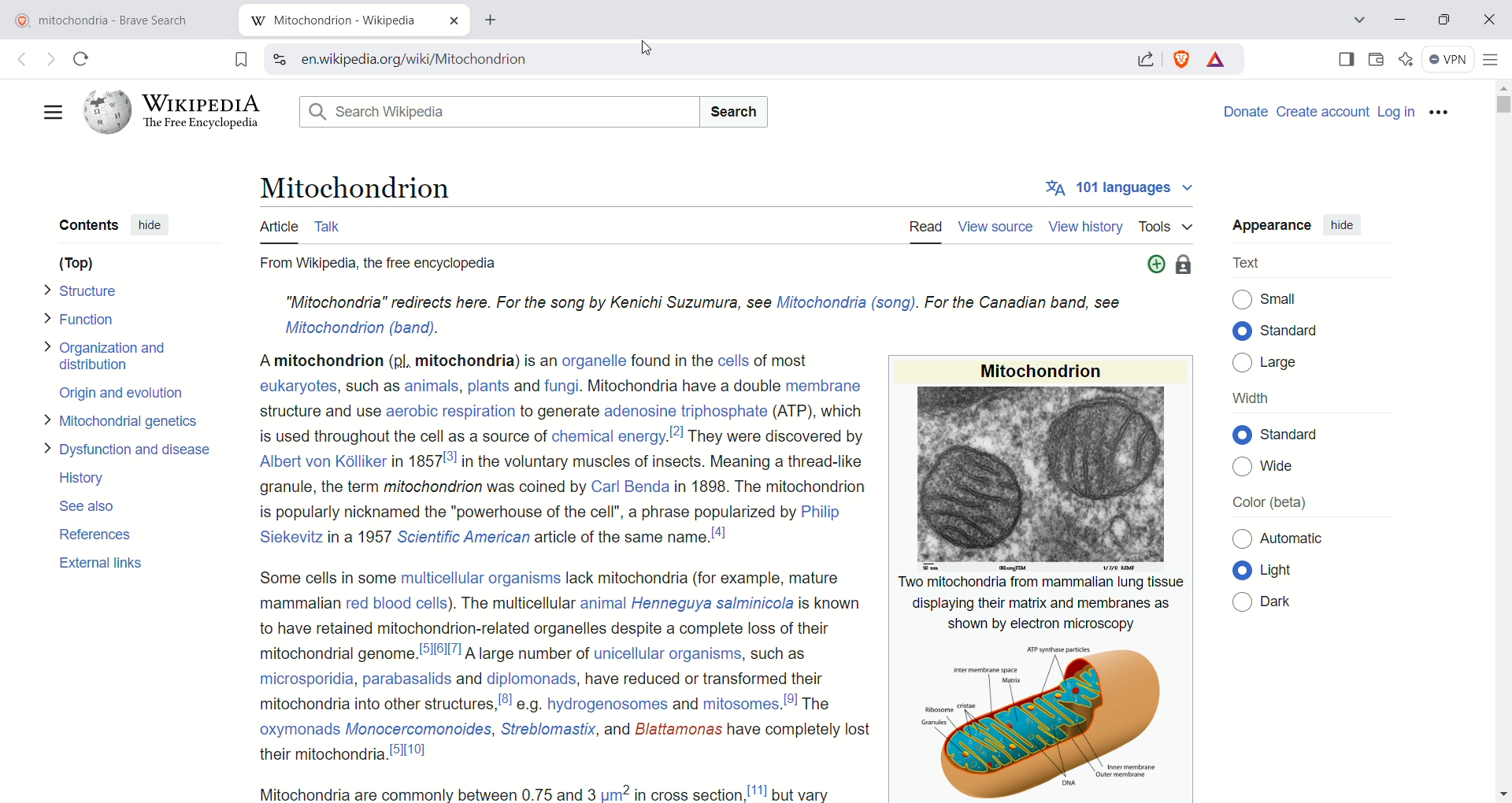  Describe the element at coordinates (1285, 467) in the screenshot. I see `Wide` at that location.